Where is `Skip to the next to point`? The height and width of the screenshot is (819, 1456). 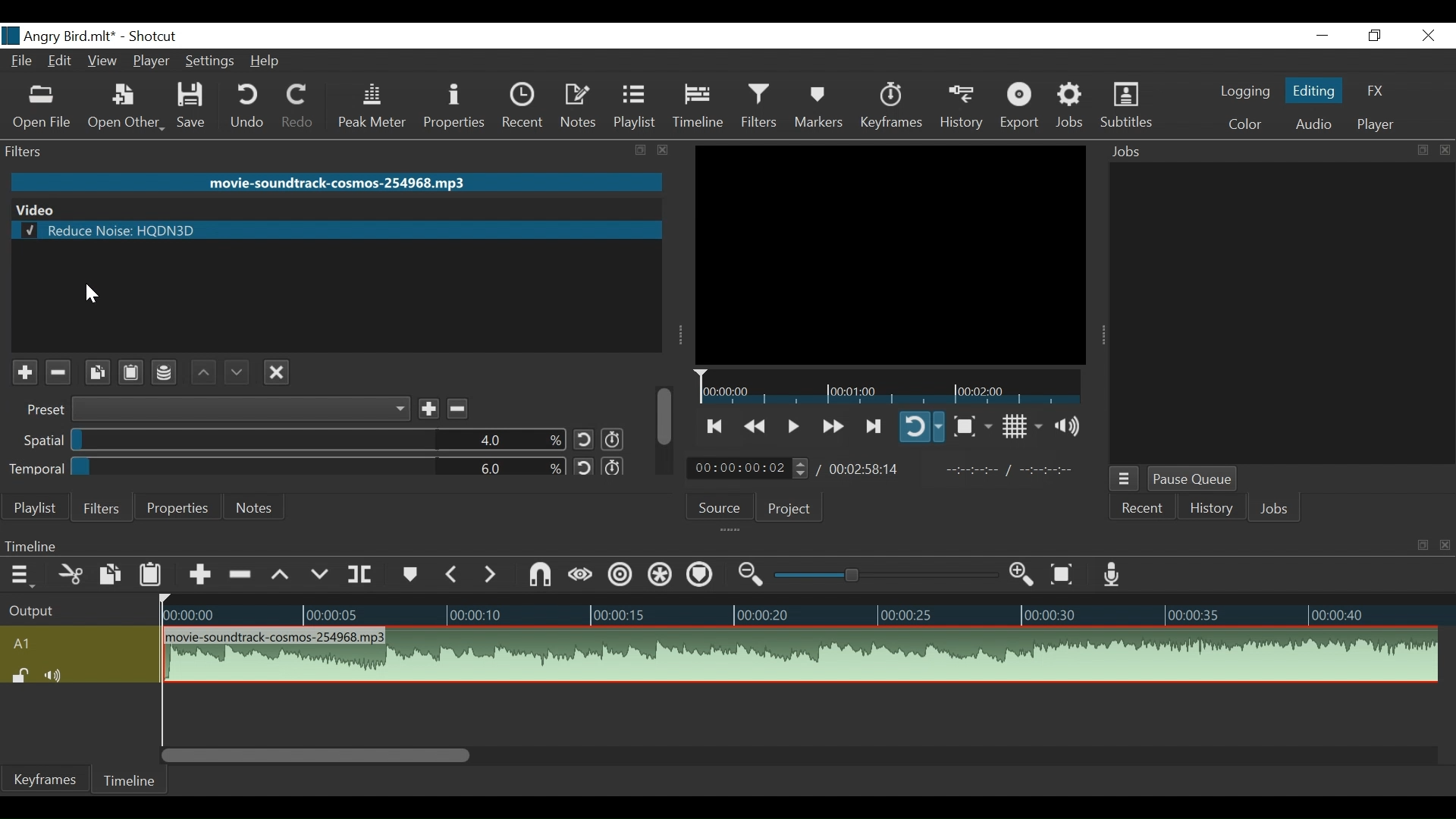 Skip to the next to point is located at coordinates (716, 424).